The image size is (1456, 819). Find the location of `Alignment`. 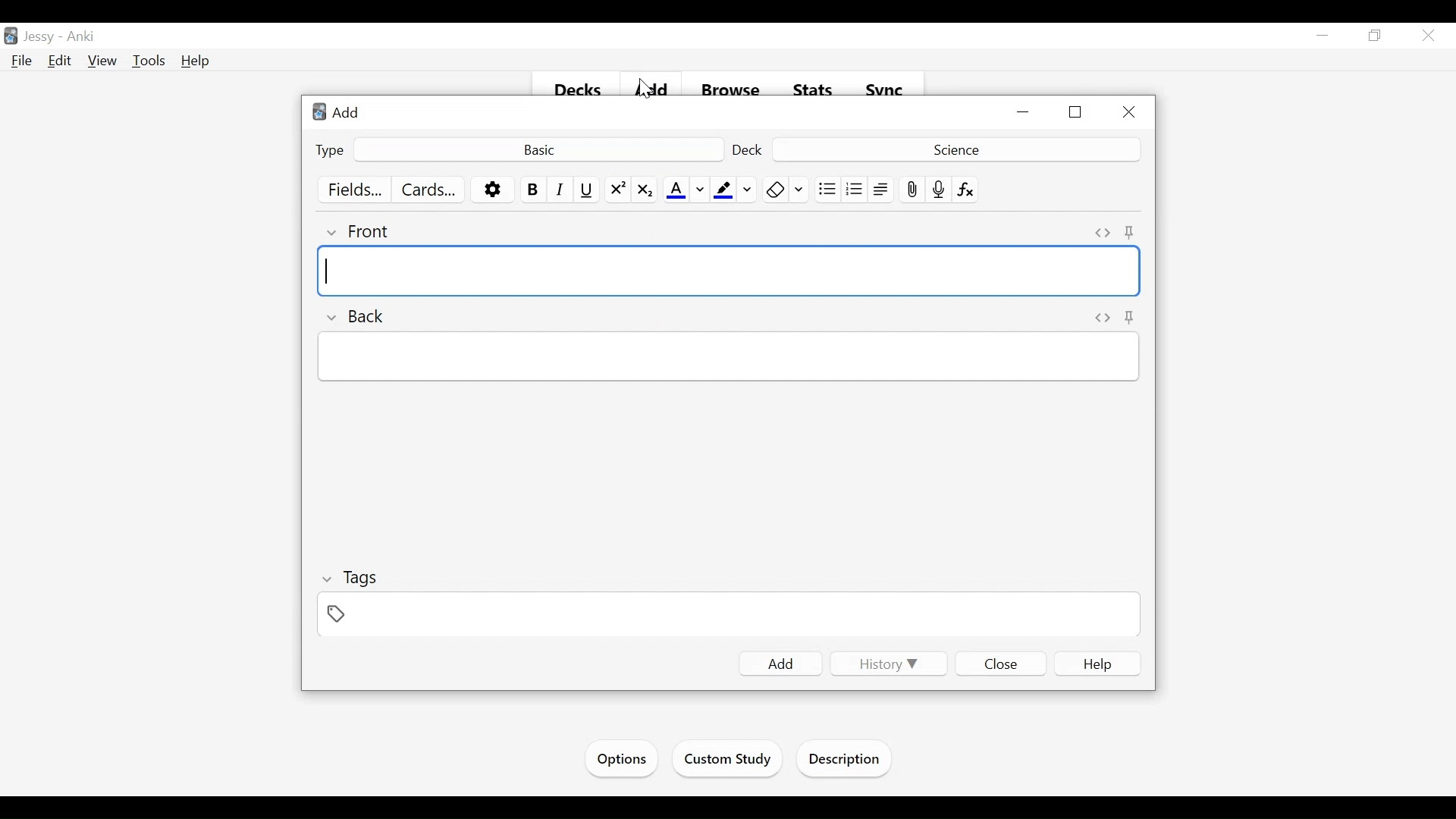

Alignment is located at coordinates (881, 190).